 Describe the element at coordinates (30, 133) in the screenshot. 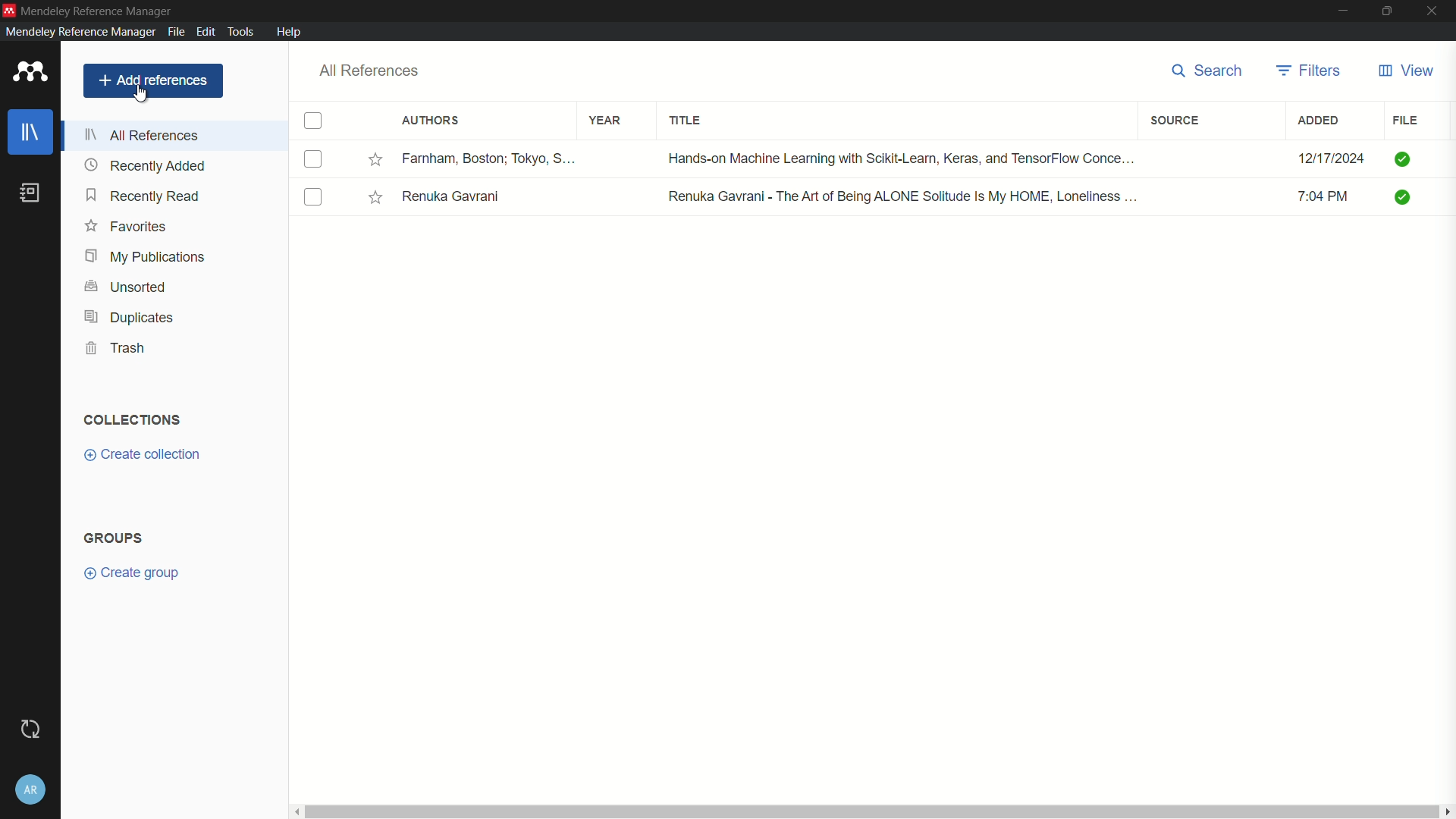

I see `library` at that location.